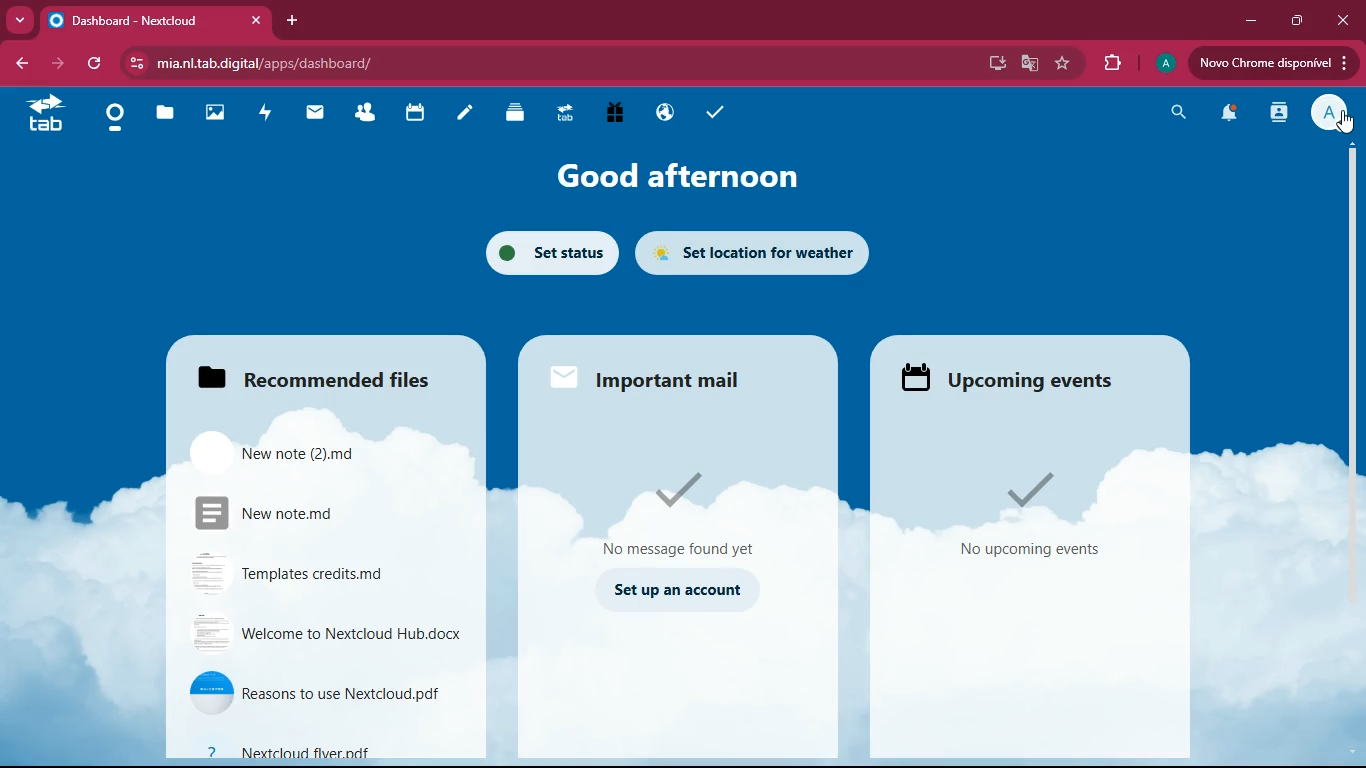 This screenshot has height=768, width=1366. I want to click on mail, so click(657, 375).